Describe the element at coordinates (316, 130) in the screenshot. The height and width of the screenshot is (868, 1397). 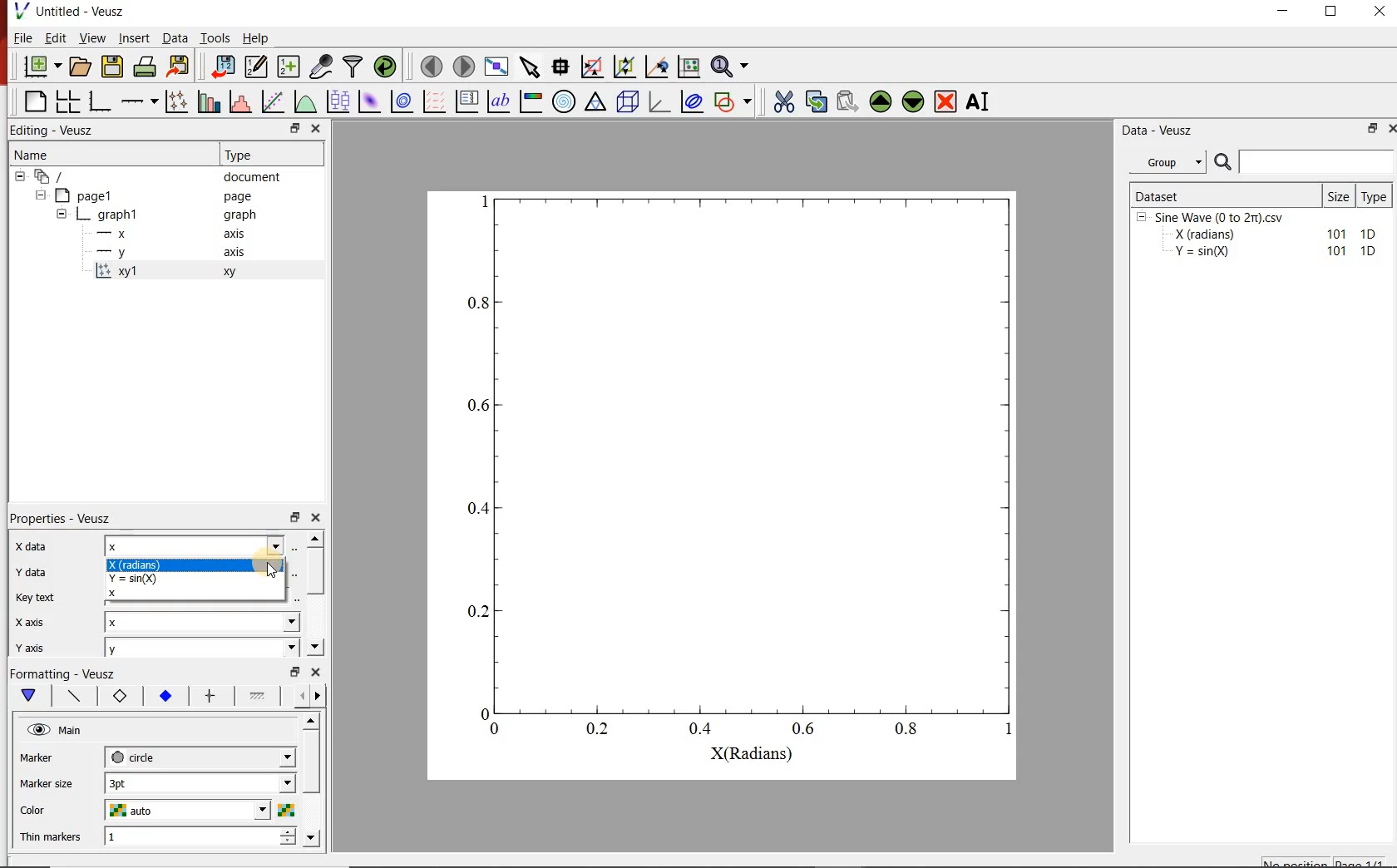
I see `Close` at that location.